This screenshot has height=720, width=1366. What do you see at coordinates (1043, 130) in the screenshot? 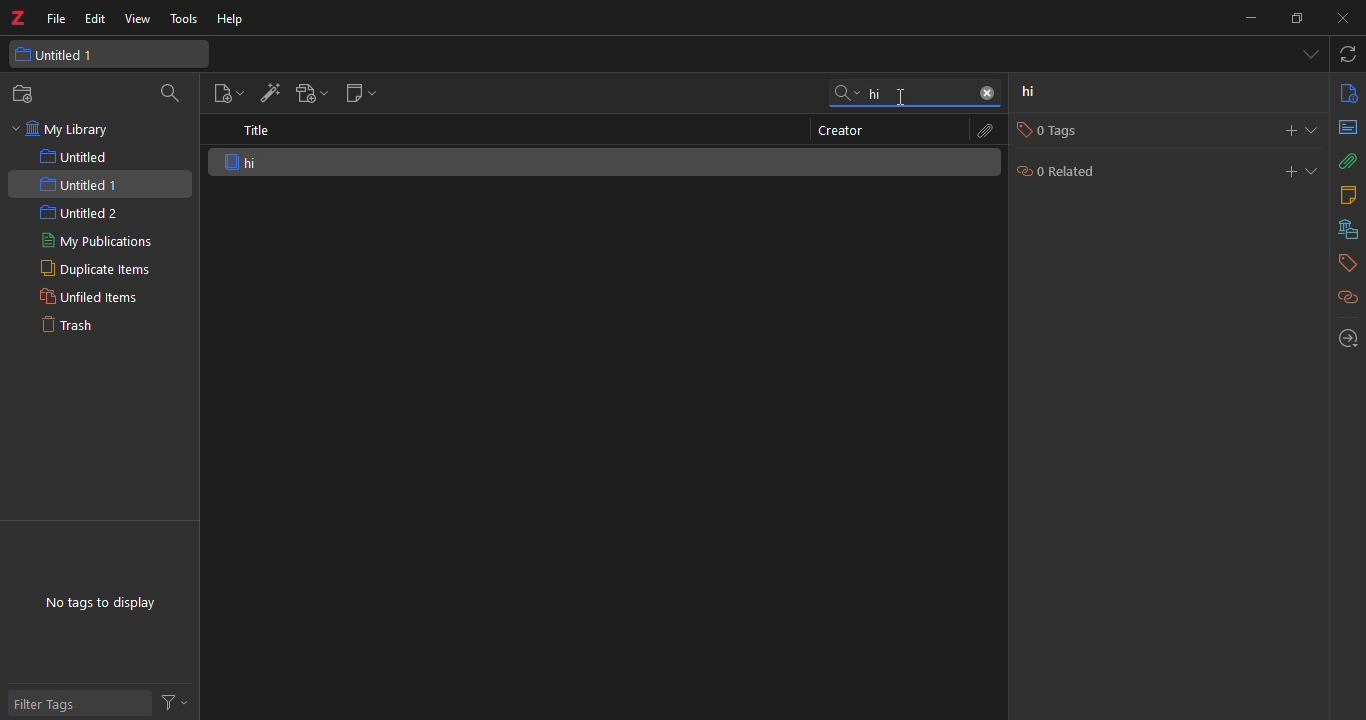
I see `0 tags` at bounding box center [1043, 130].